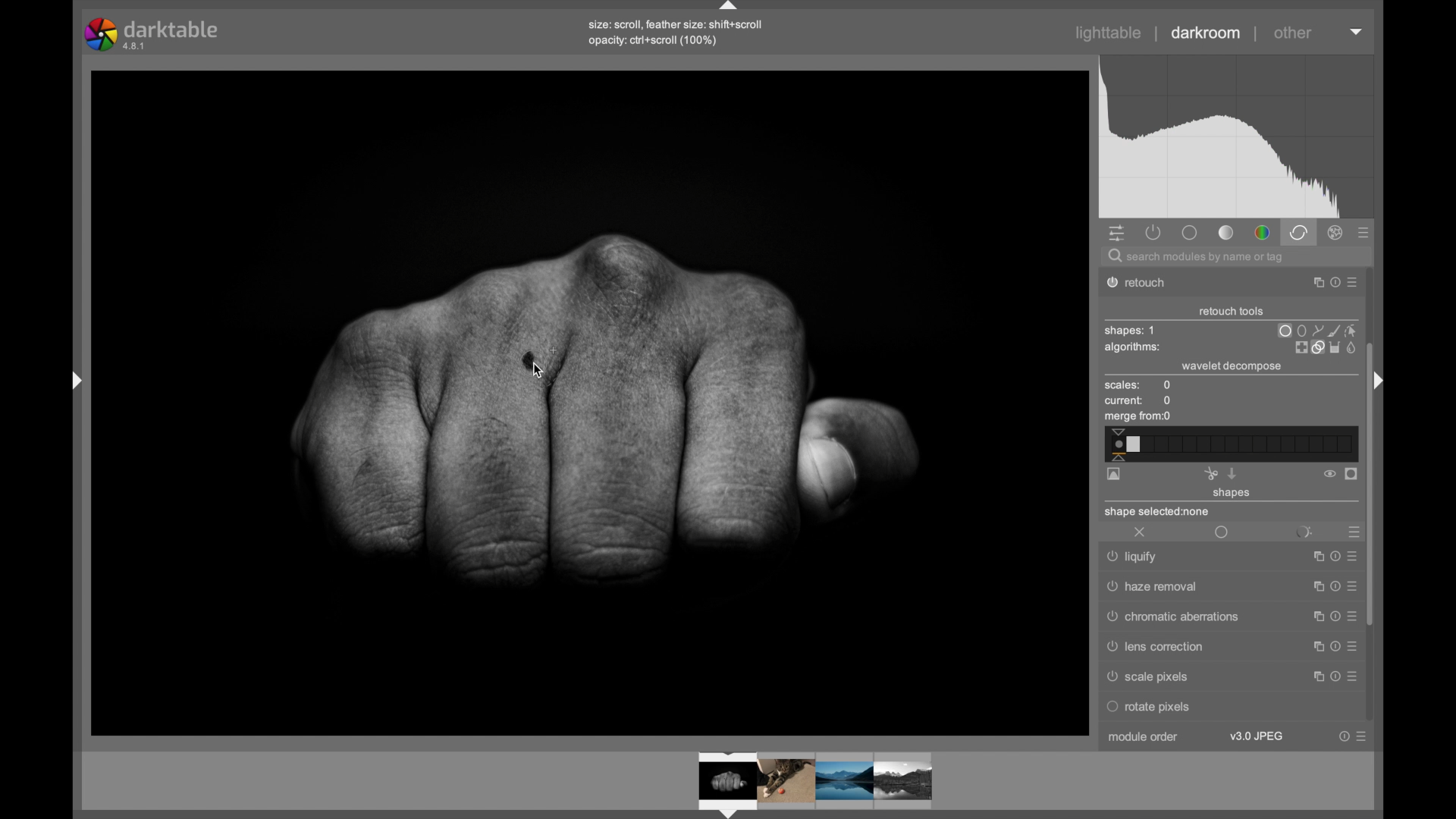 The width and height of the screenshot is (1456, 819). I want to click on effect, so click(1336, 233).